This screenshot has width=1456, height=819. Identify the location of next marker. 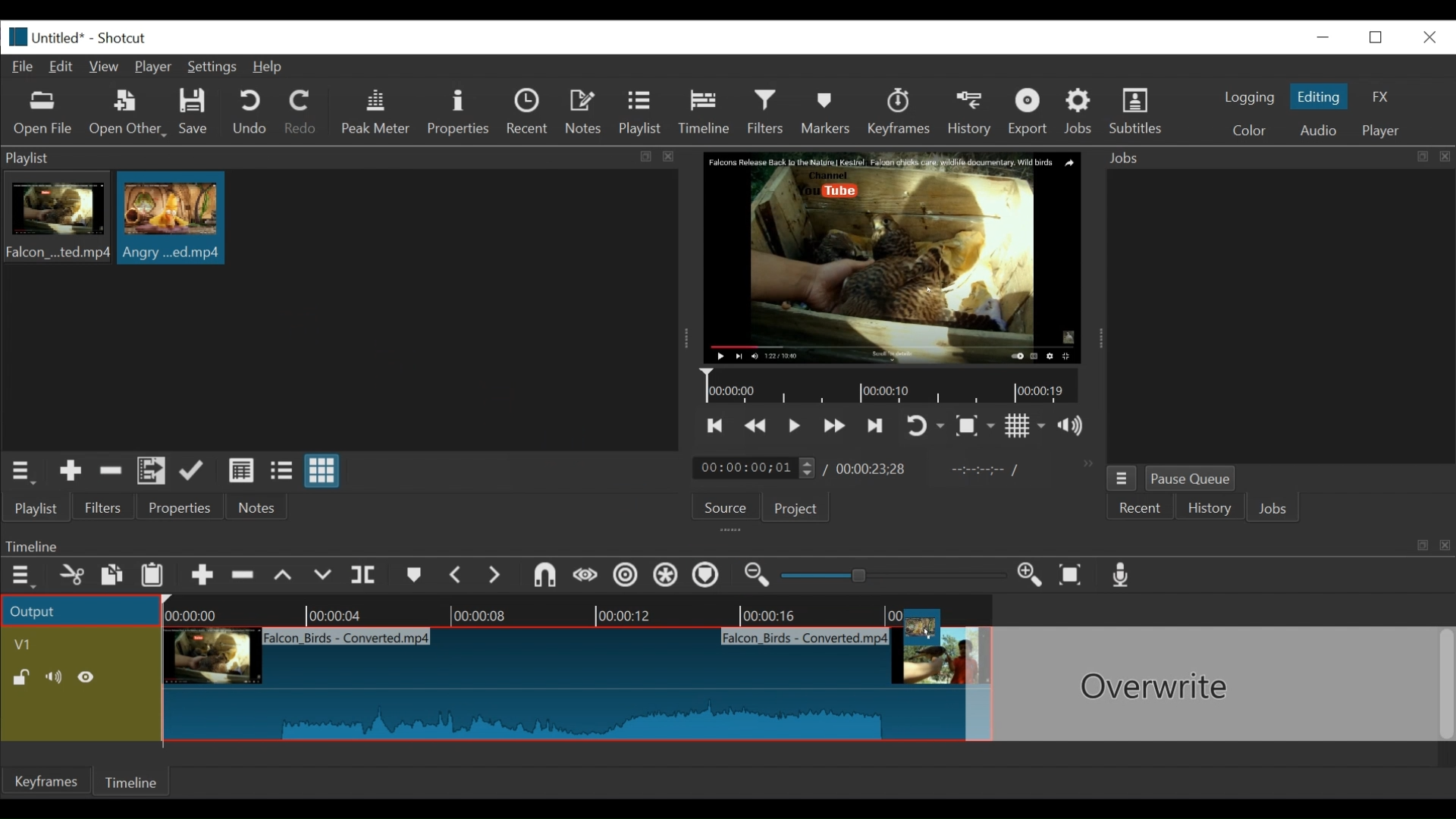
(497, 576).